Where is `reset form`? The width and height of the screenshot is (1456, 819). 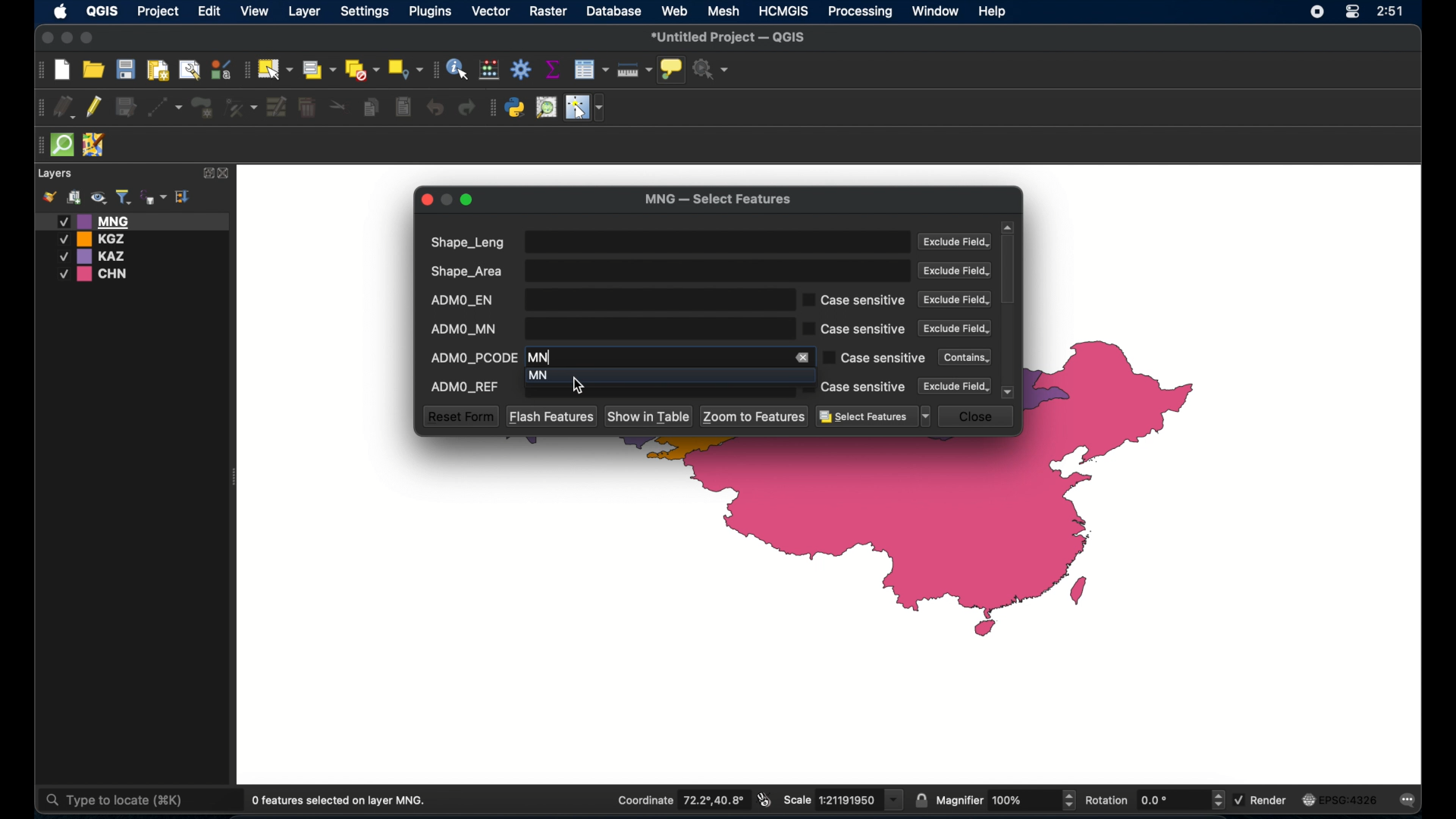
reset form is located at coordinates (460, 416).